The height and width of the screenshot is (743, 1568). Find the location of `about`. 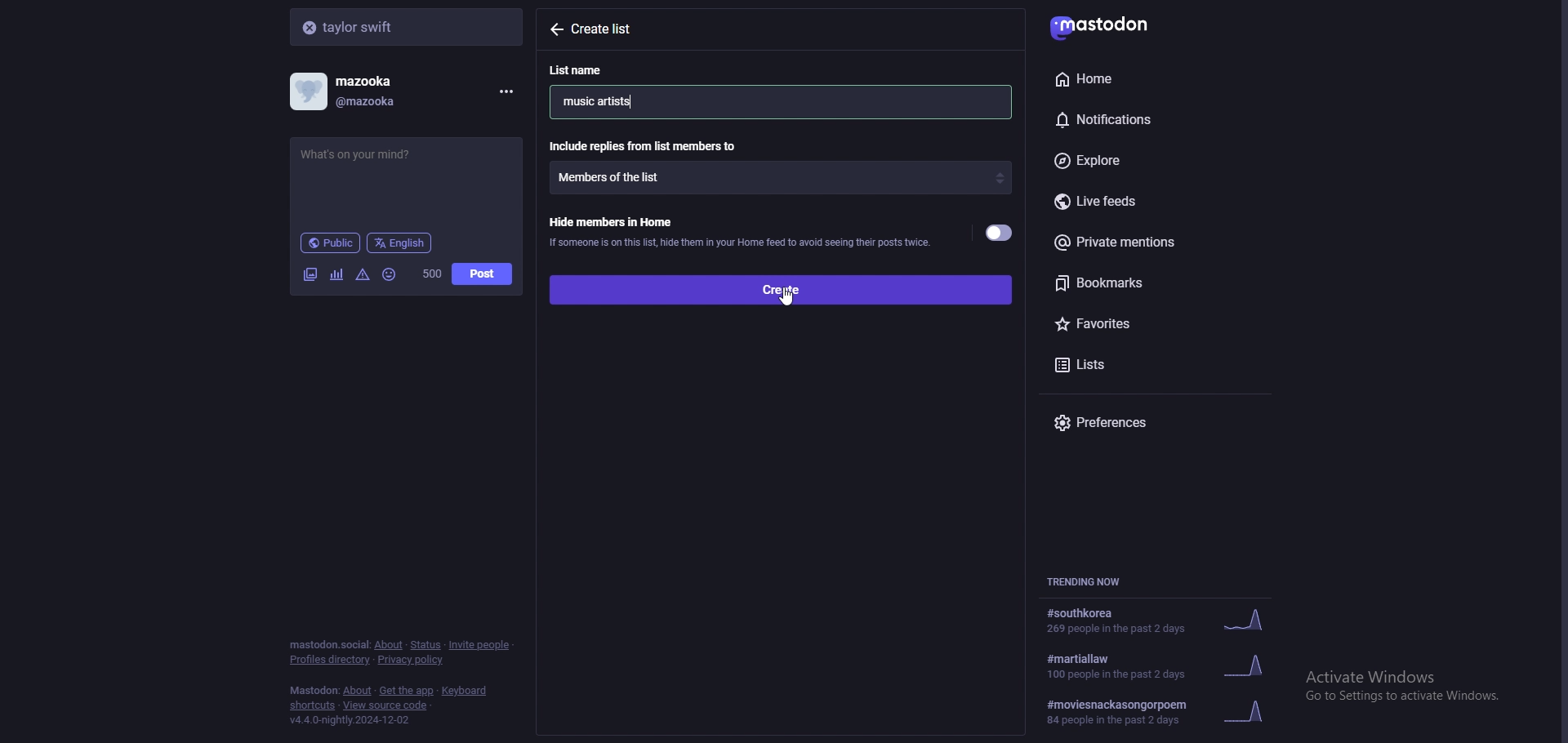

about is located at coordinates (359, 692).